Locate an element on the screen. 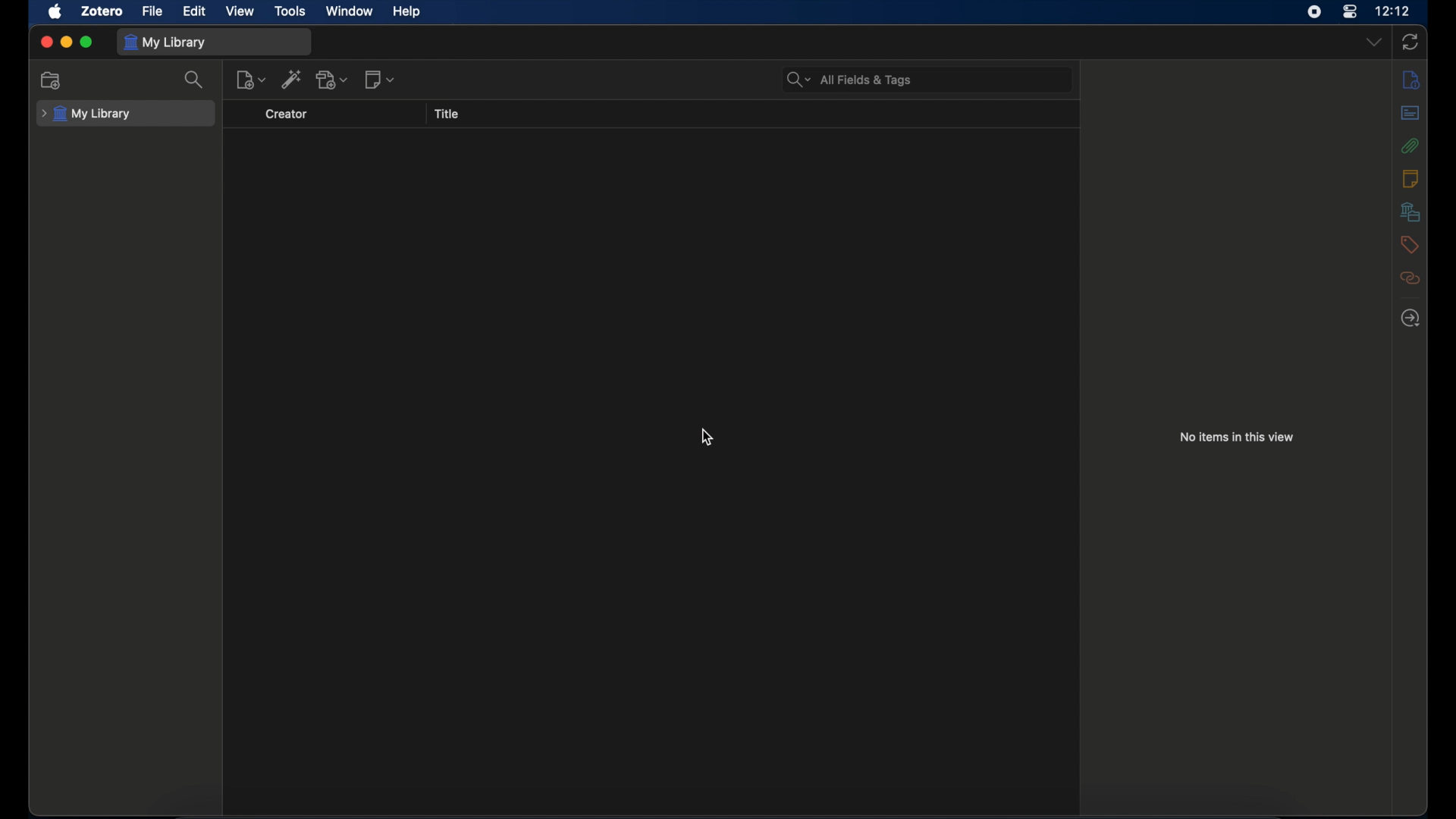  title is located at coordinates (447, 114).